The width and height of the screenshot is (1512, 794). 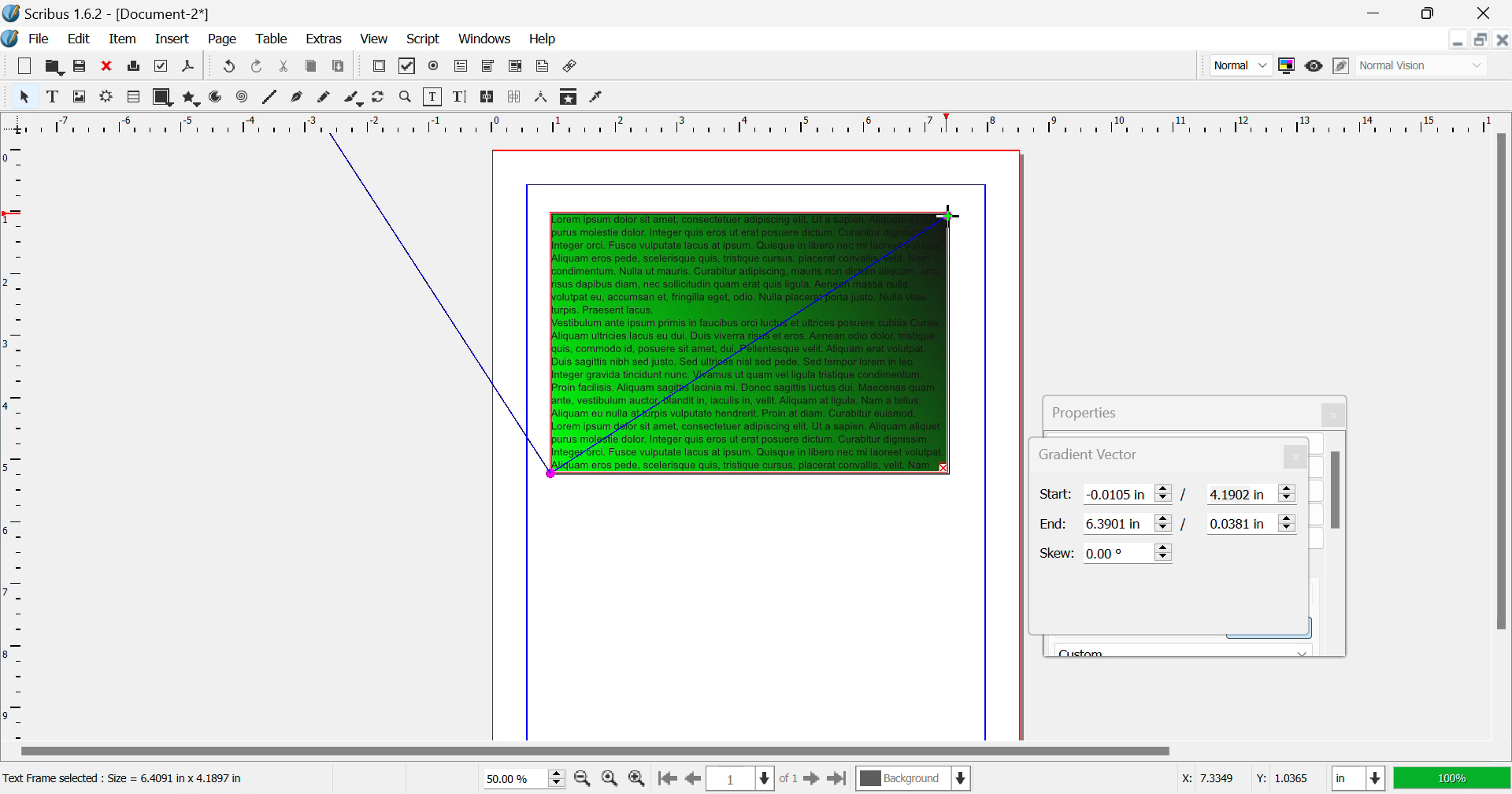 What do you see at coordinates (543, 98) in the screenshot?
I see `Measurements` at bounding box center [543, 98].